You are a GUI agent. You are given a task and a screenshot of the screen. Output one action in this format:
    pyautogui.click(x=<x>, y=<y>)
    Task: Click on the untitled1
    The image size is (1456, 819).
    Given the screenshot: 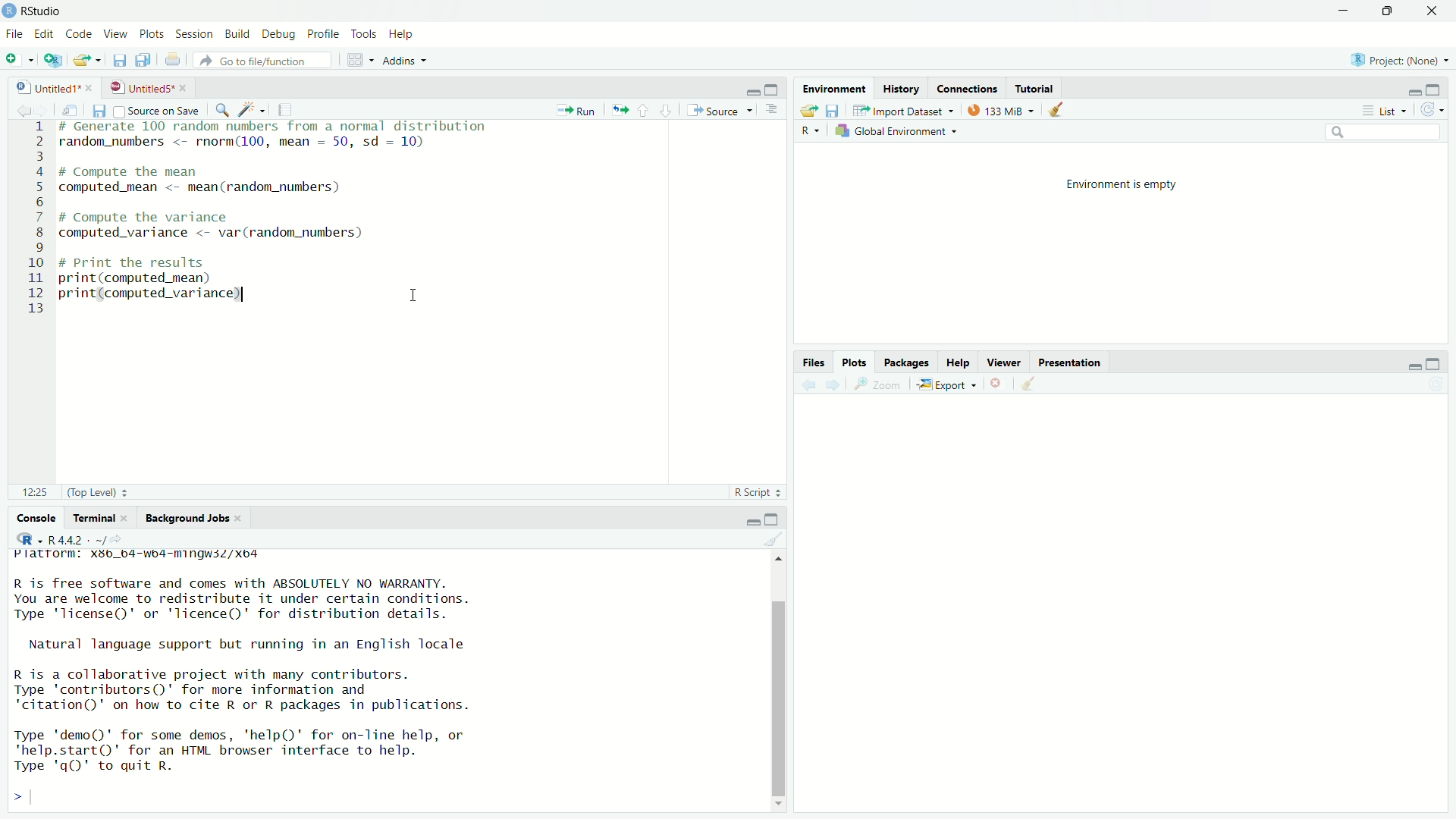 What is the action you would take?
    pyautogui.click(x=39, y=86)
    